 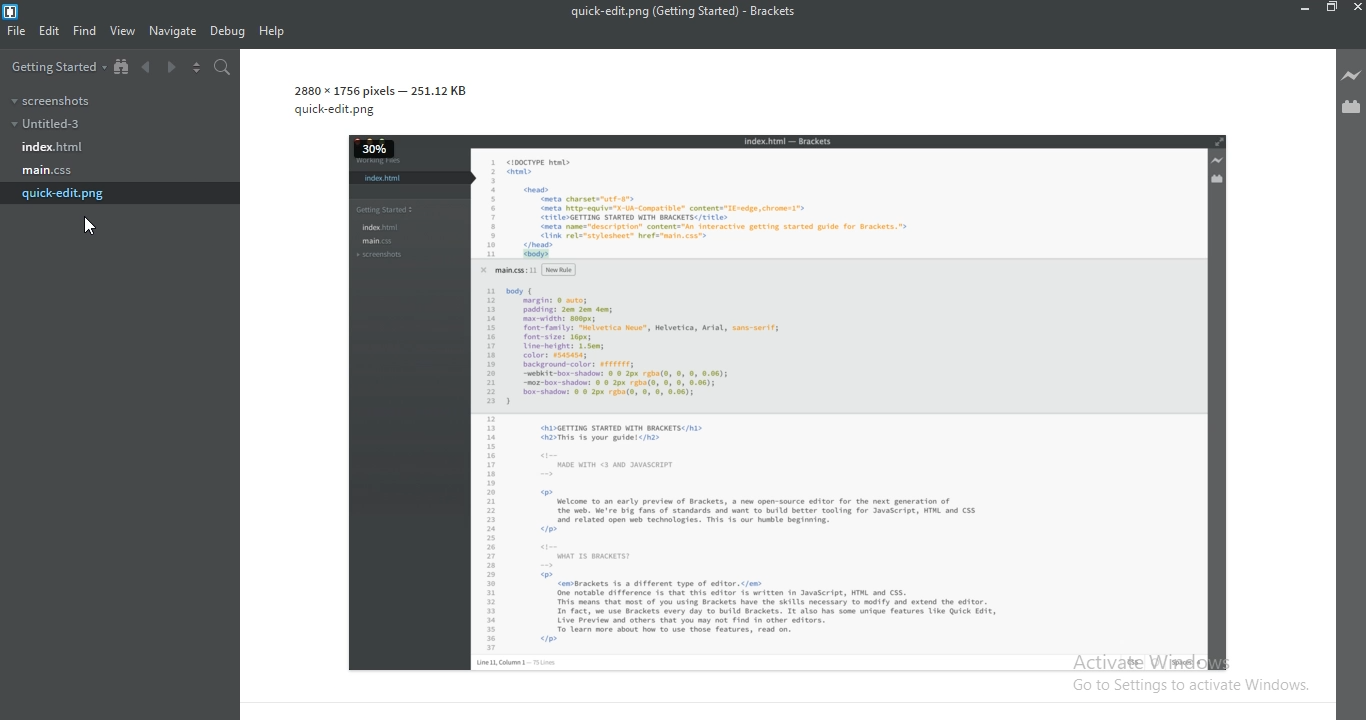 I want to click on backward, so click(x=148, y=69).